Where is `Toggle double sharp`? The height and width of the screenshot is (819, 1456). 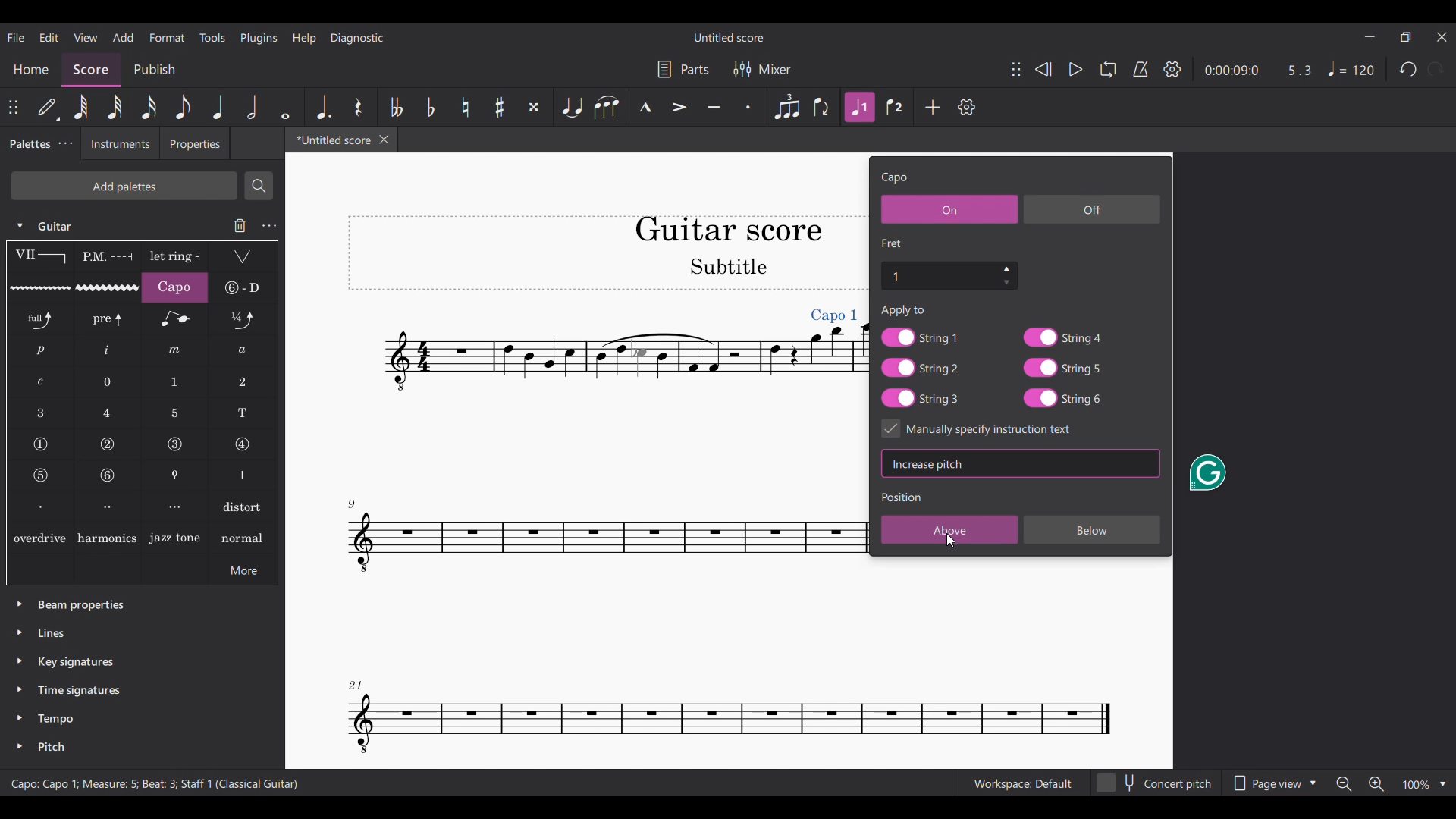 Toggle double sharp is located at coordinates (534, 107).